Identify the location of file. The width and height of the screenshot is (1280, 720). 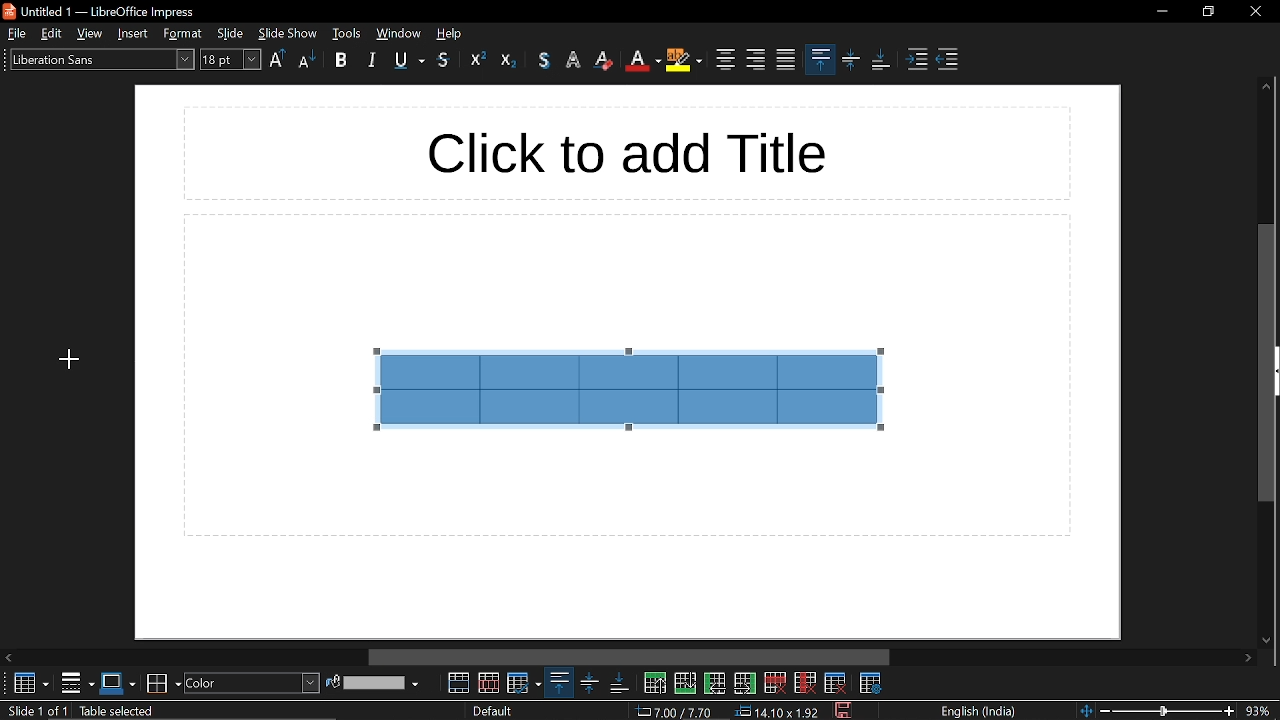
(17, 34).